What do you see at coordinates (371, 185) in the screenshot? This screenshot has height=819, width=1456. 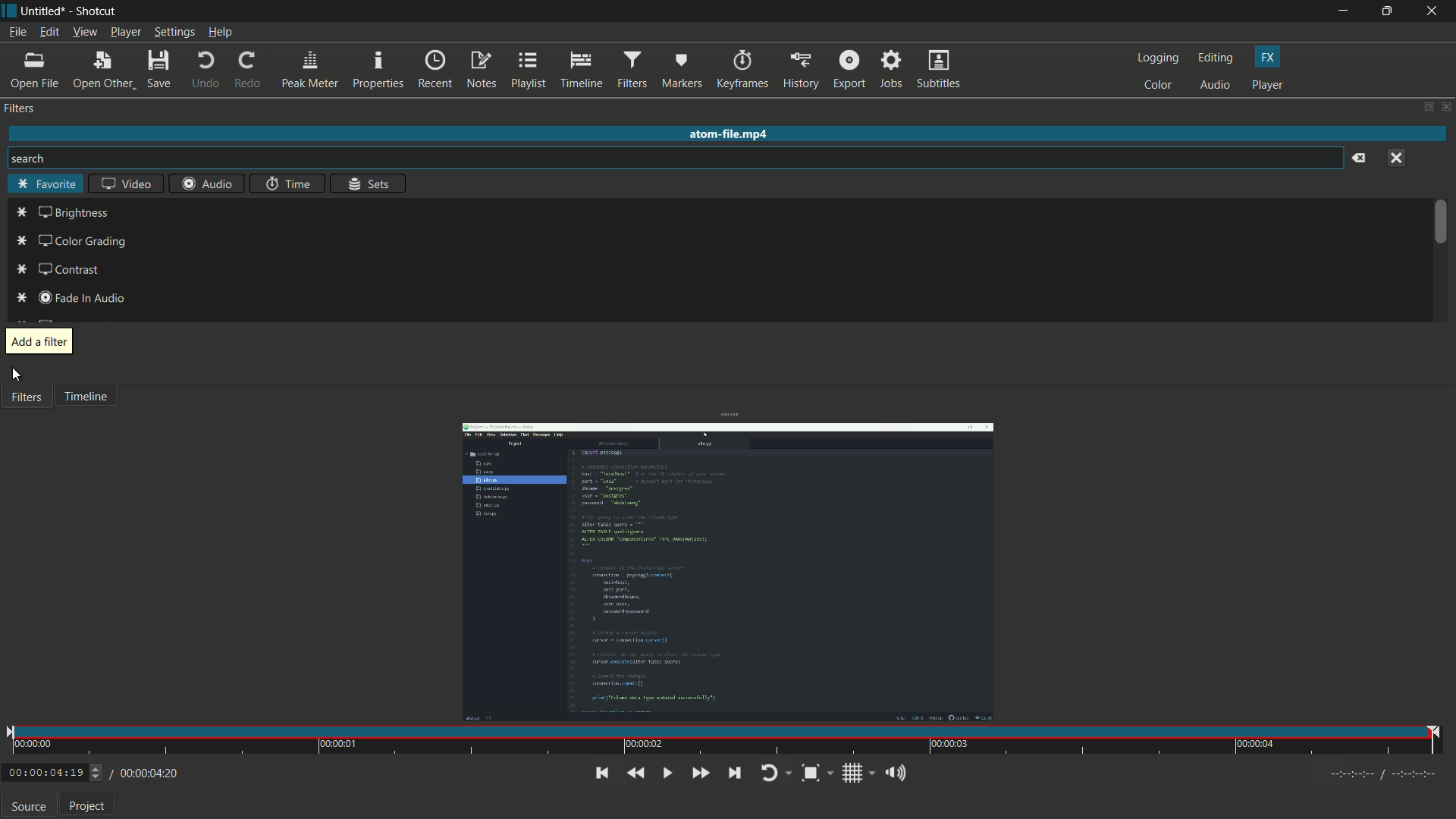 I see `sets` at bounding box center [371, 185].